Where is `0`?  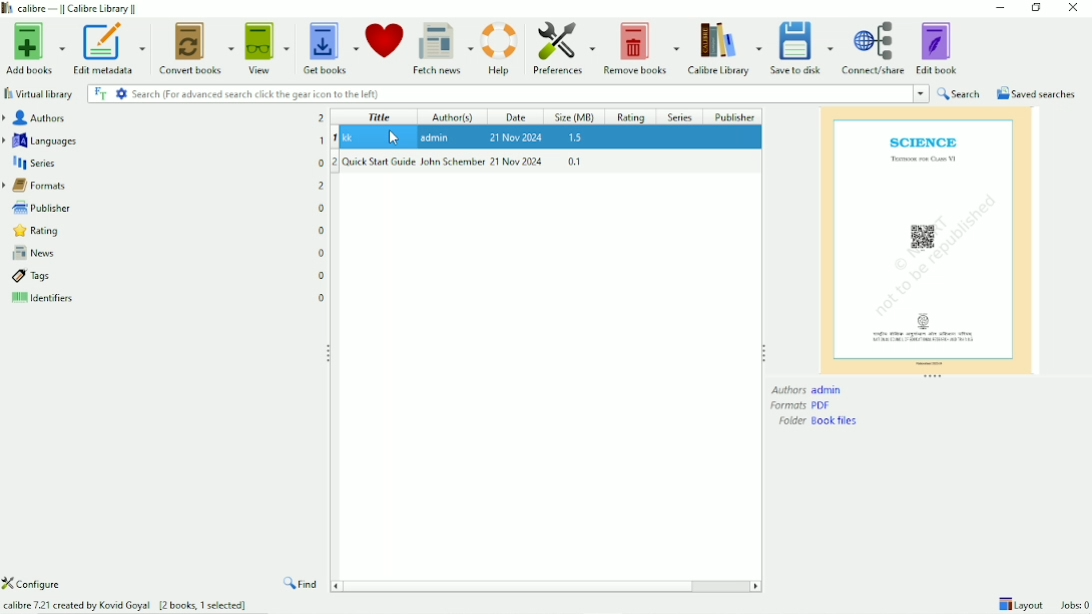 0 is located at coordinates (322, 232).